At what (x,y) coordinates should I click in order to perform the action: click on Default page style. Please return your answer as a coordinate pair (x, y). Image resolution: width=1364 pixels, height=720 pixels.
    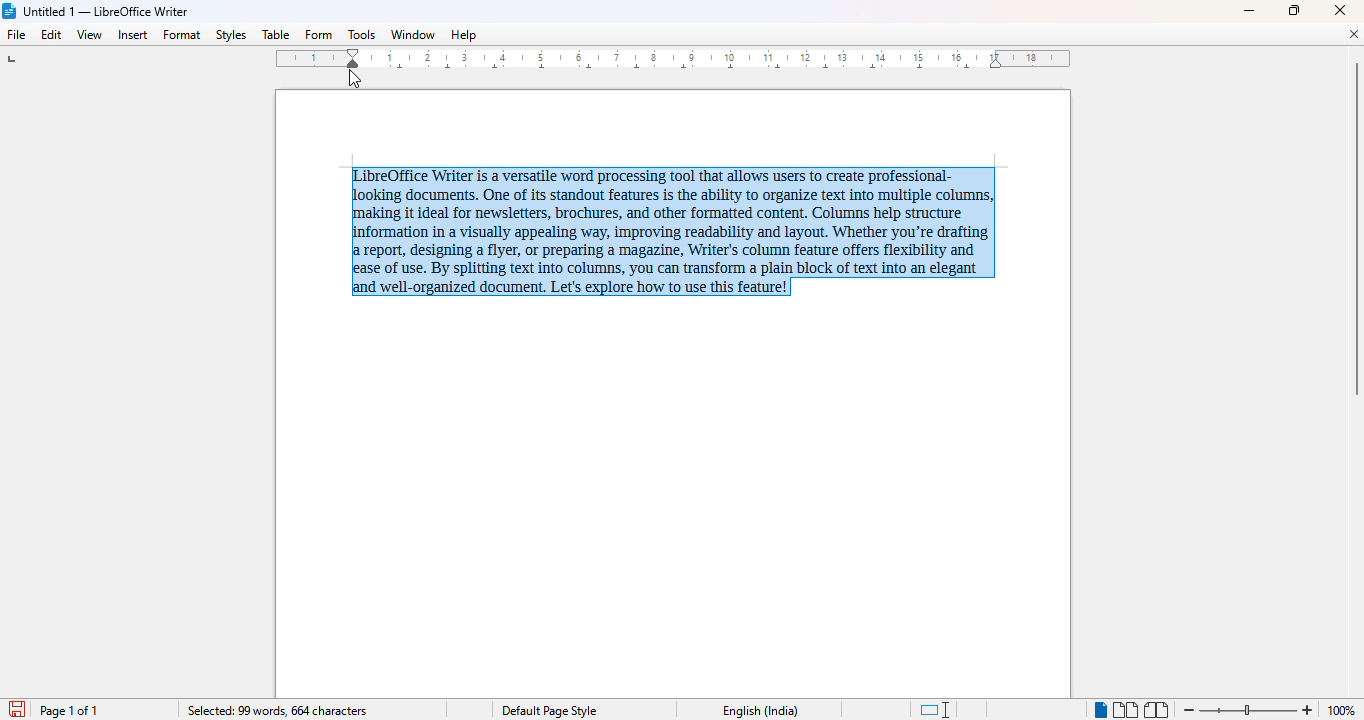
    Looking at the image, I should click on (553, 710).